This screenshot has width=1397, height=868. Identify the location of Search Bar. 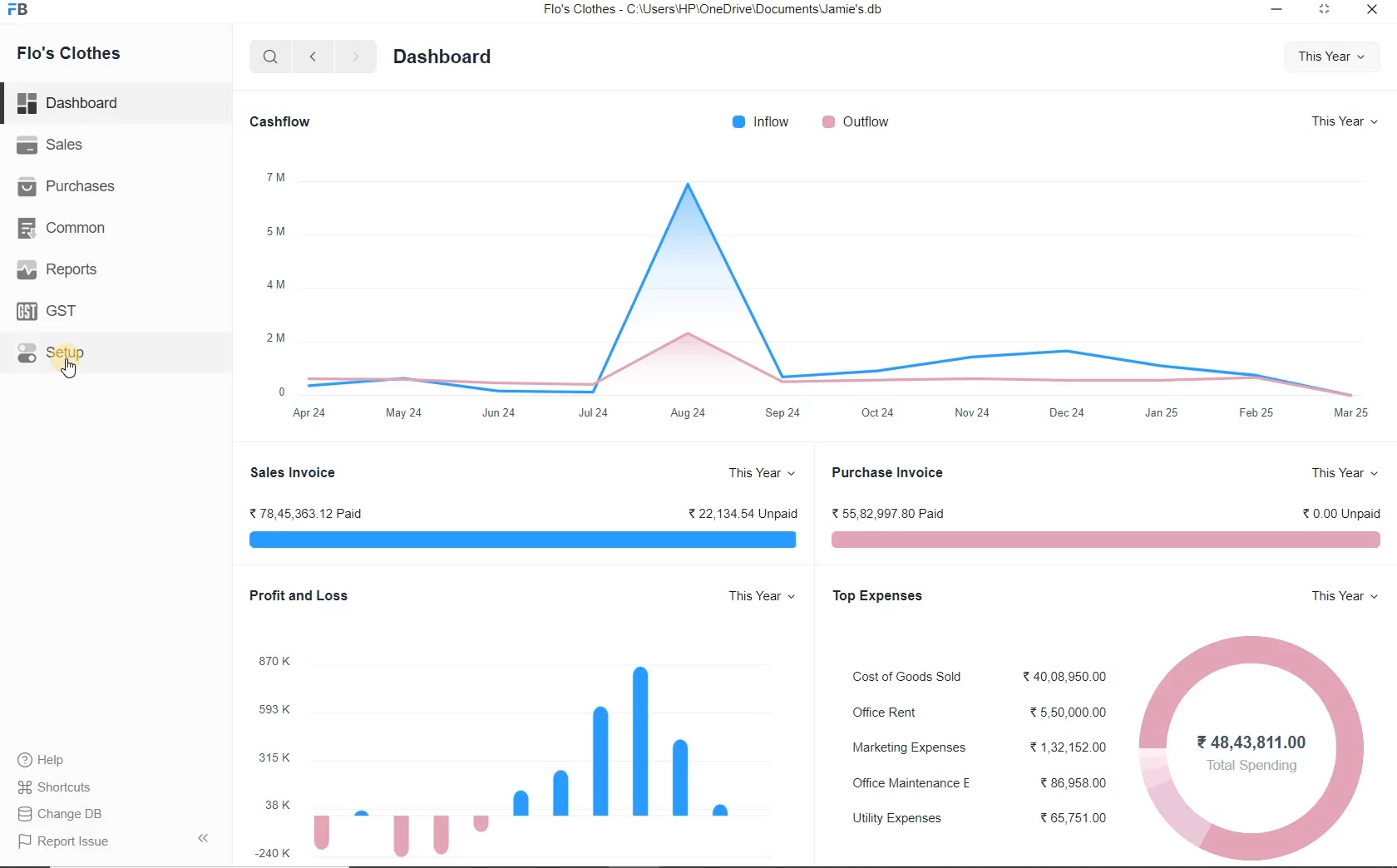
(271, 56).